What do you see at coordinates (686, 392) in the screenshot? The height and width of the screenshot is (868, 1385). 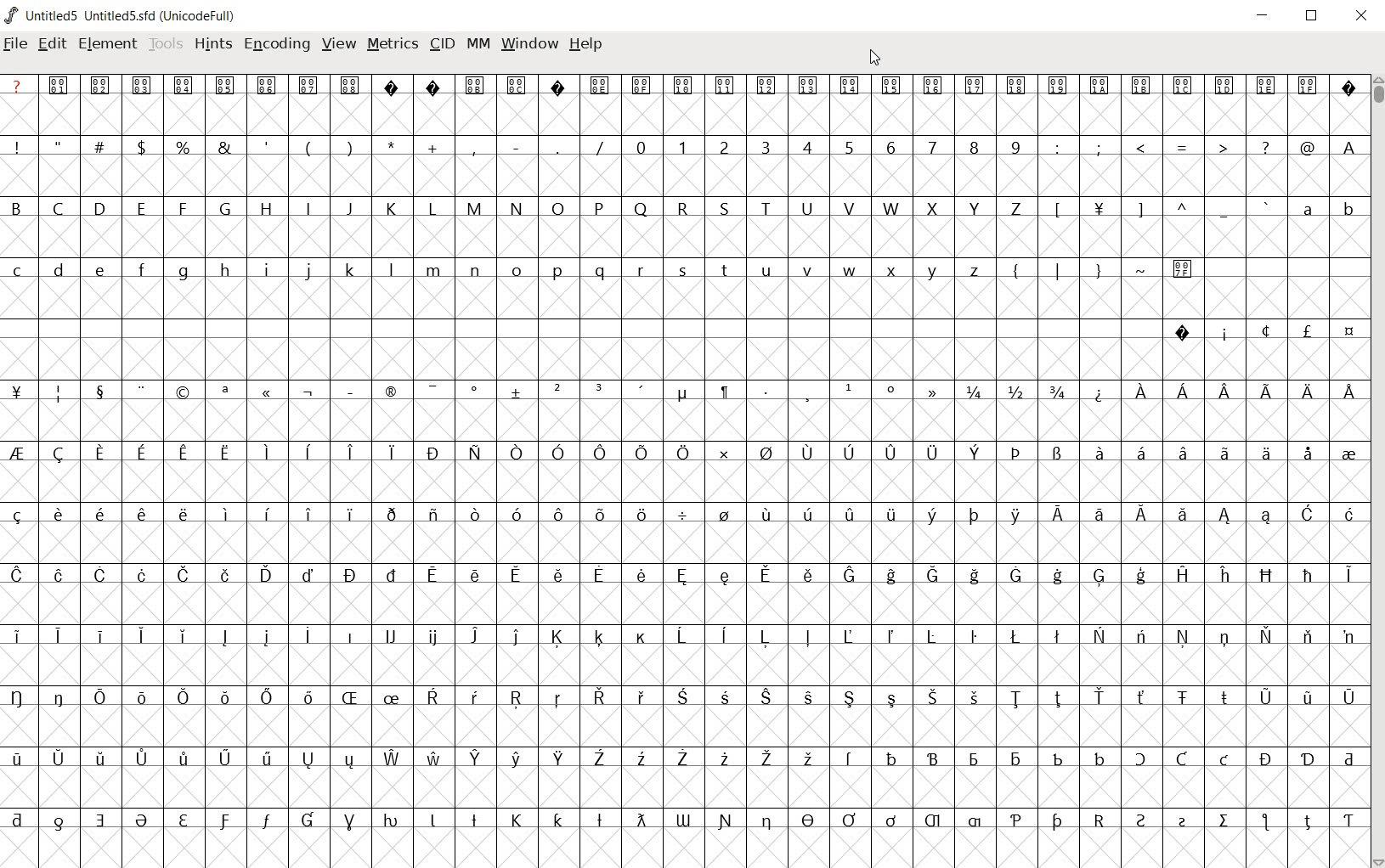 I see `Symbol` at bounding box center [686, 392].